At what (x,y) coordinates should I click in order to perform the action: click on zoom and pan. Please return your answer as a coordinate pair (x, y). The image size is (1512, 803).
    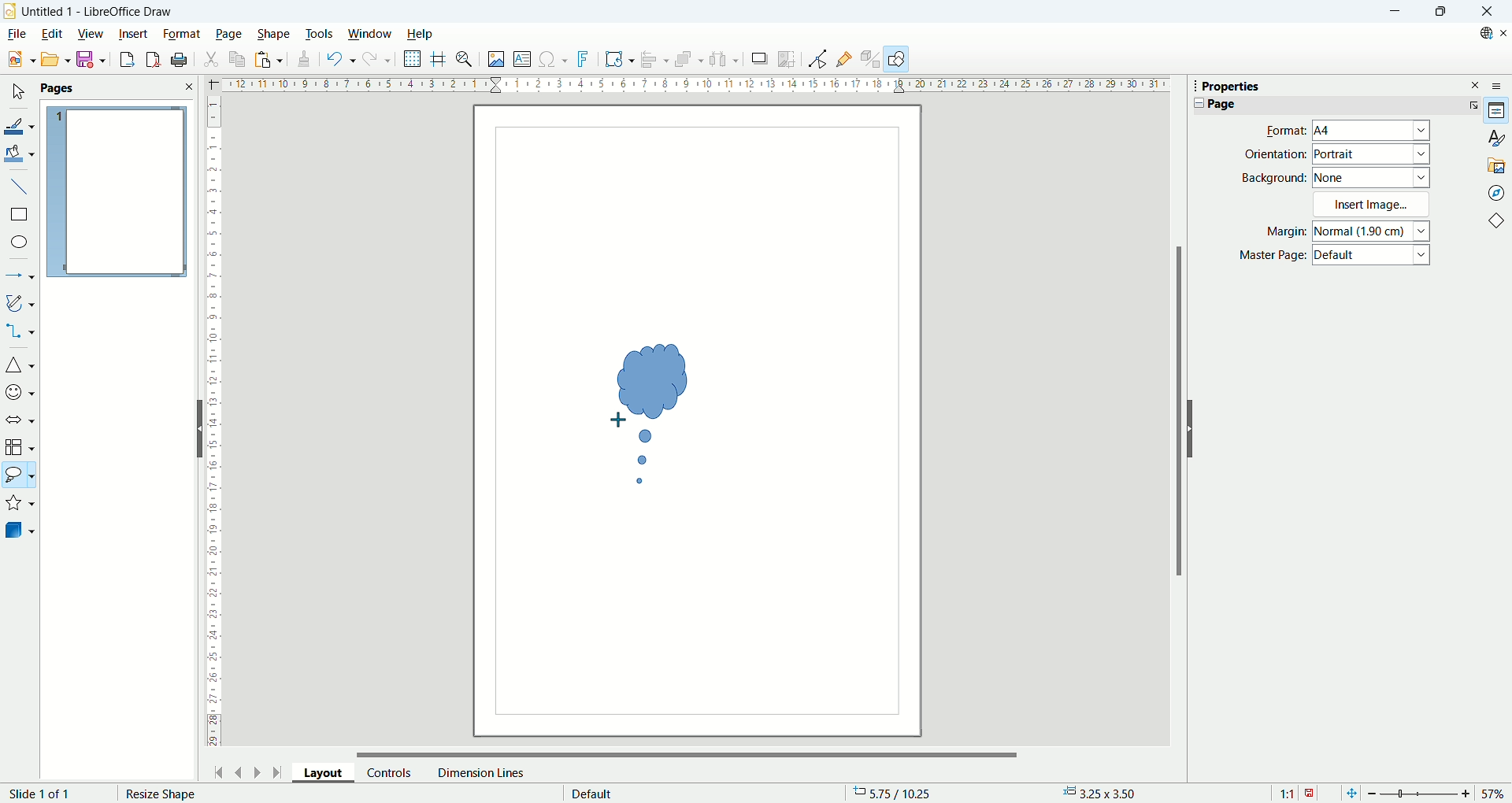
    Looking at the image, I should click on (465, 61).